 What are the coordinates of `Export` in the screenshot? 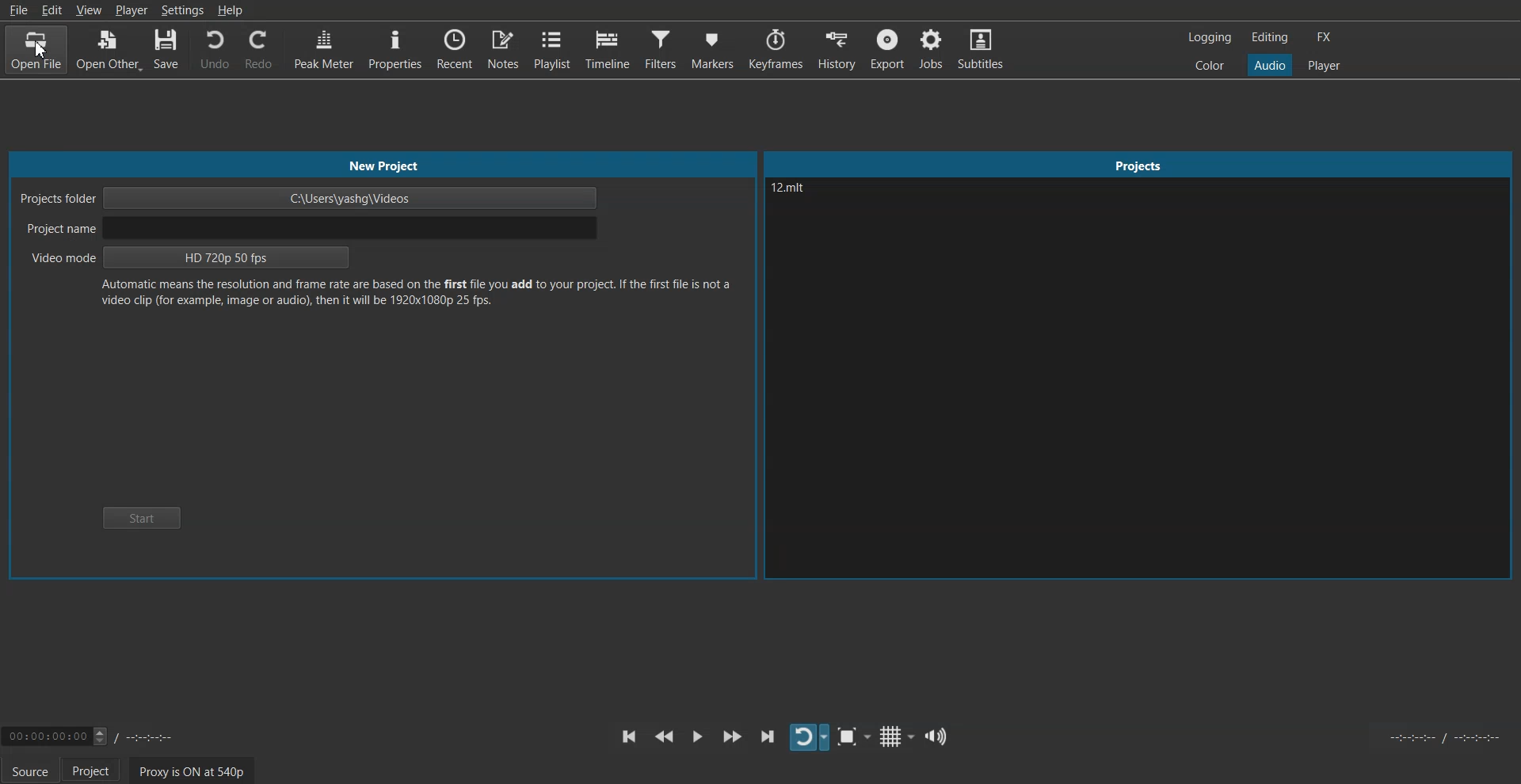 It's located at (889, 48).